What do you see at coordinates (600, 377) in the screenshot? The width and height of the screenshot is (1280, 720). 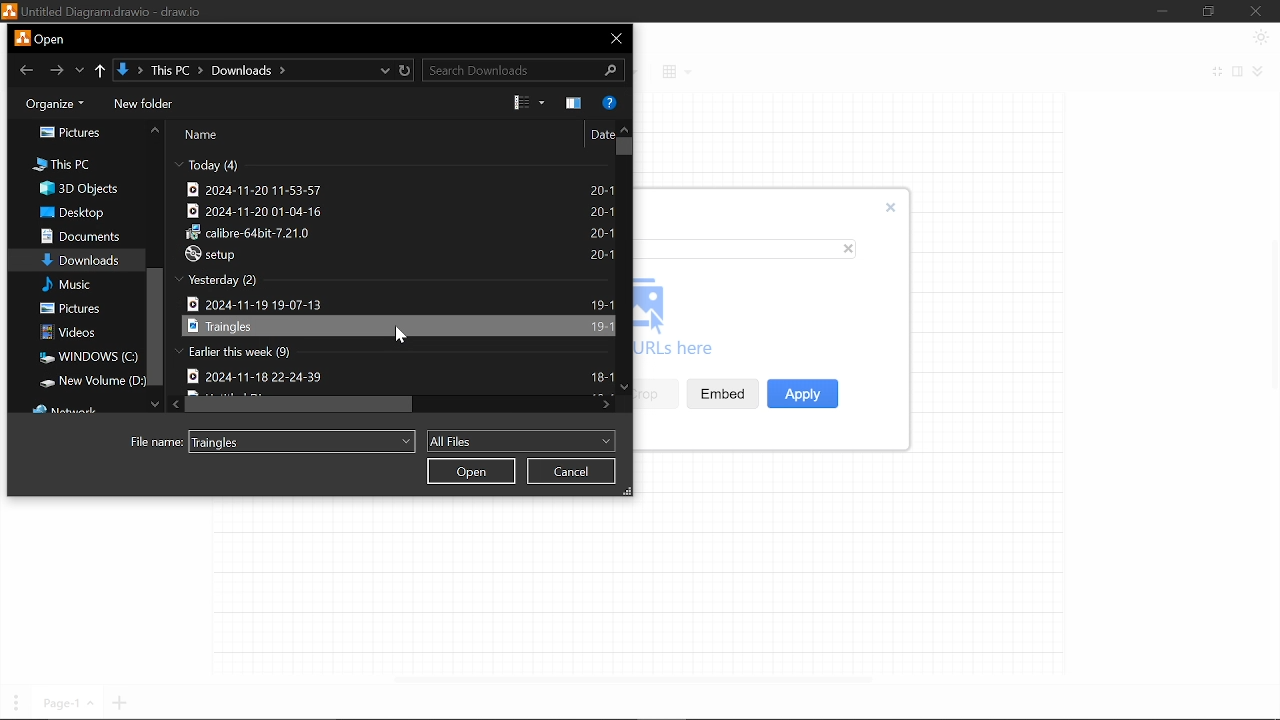 I see `18-1` at bounding box center [600, 377].